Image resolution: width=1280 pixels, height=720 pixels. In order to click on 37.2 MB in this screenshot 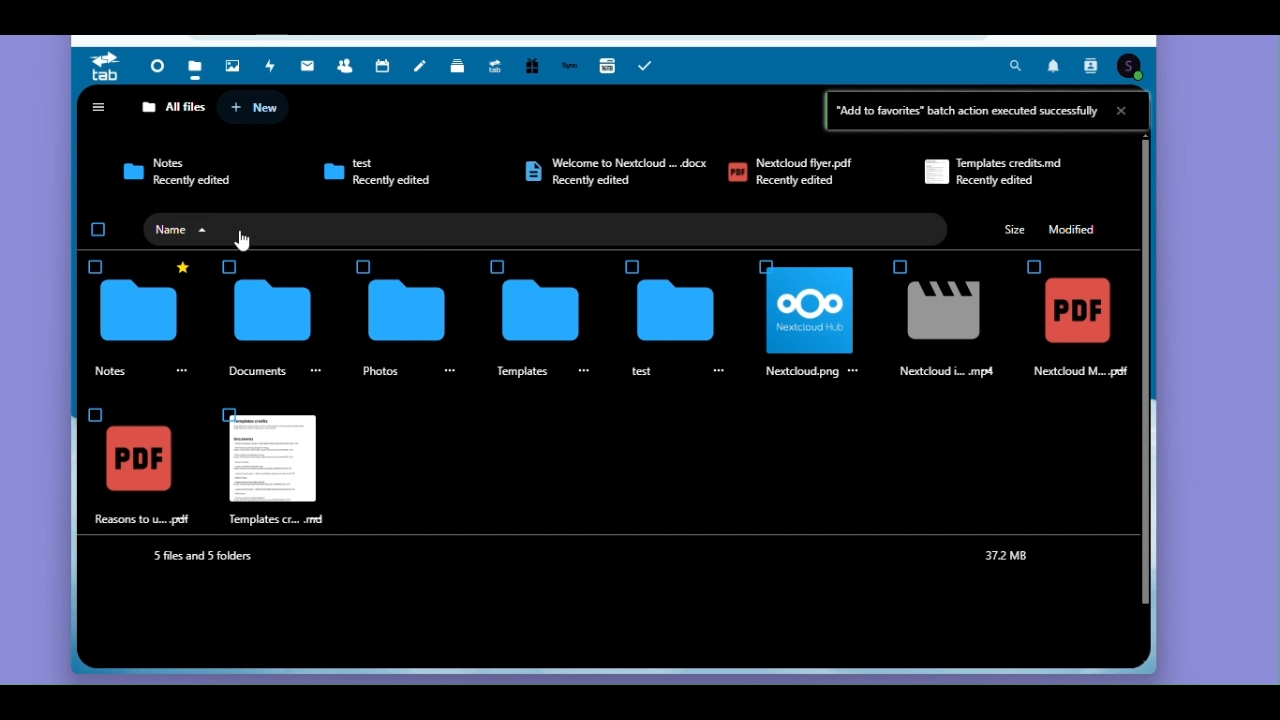, I will do `click(1007, 555)`.